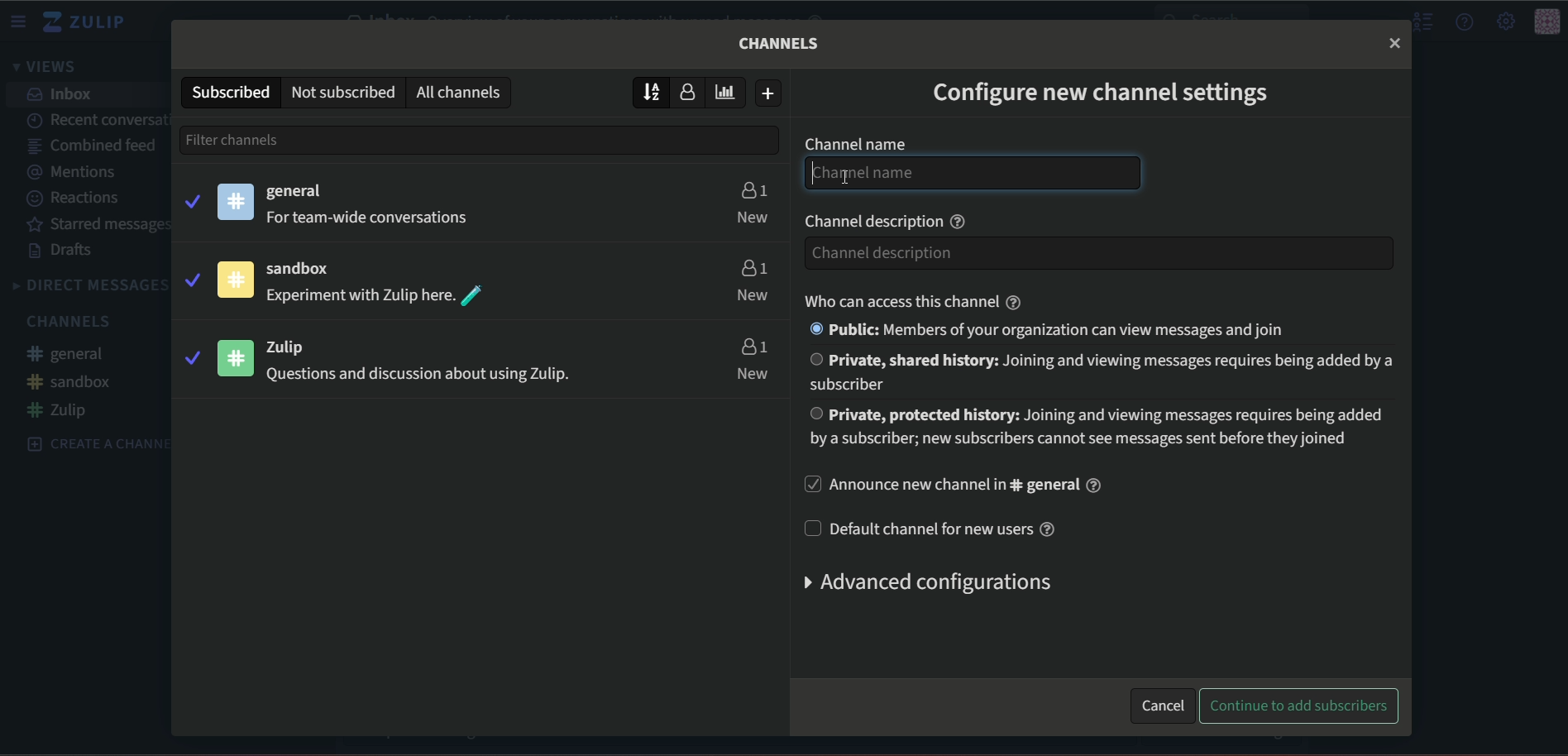  Describe the element at coordinates (97, 226) in the screenshot. I see `Starred message` at that location.